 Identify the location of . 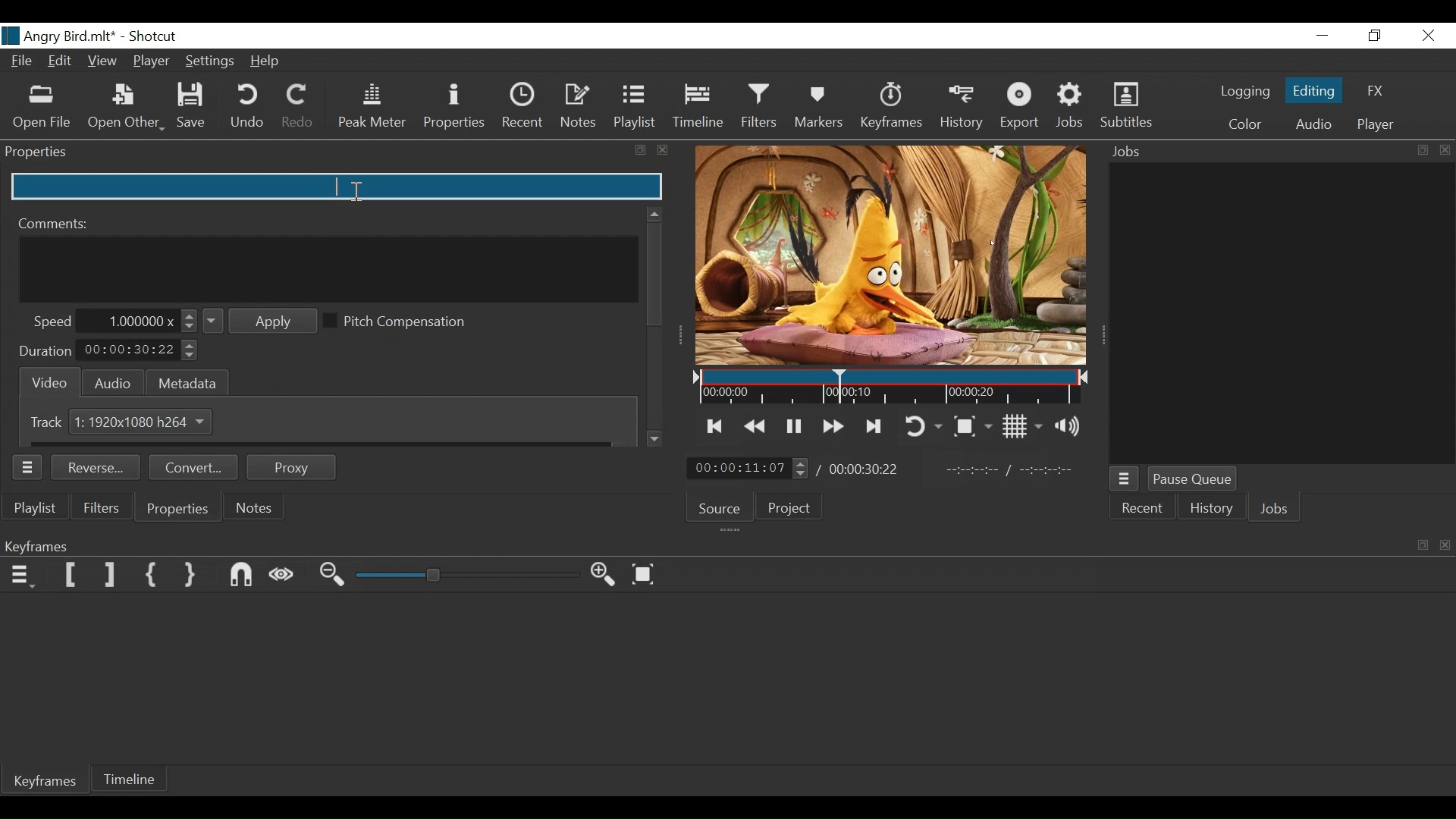
(715, 506).